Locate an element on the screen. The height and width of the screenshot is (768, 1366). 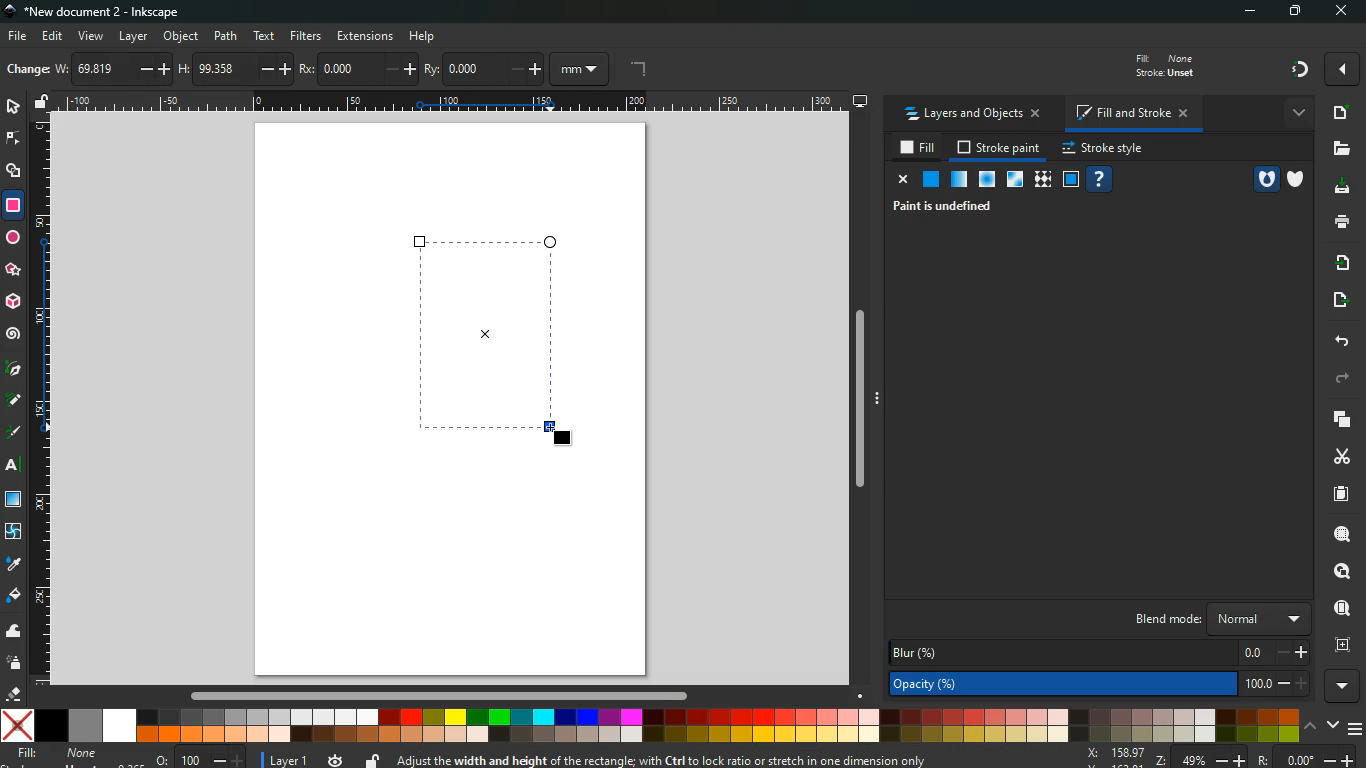
horizontal ruler is located at coordinates (448, 104).